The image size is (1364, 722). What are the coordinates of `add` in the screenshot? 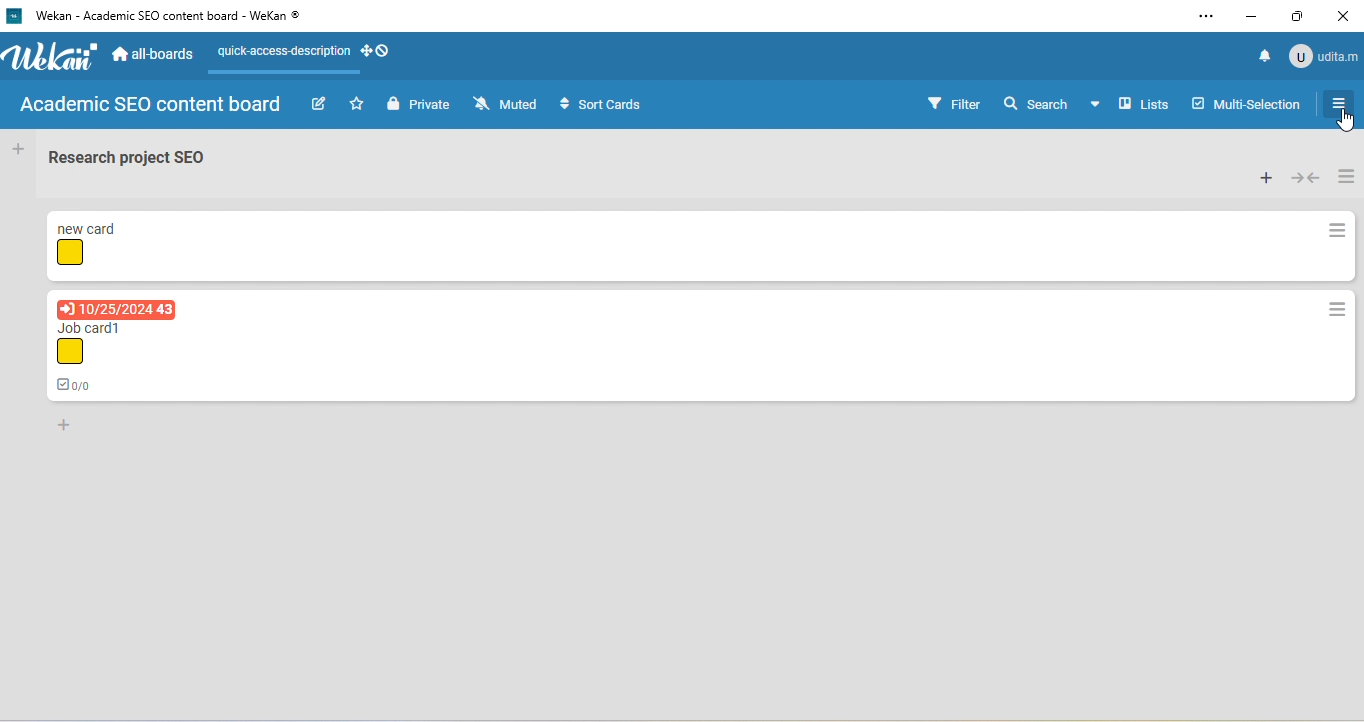 It's located at (19, 152).